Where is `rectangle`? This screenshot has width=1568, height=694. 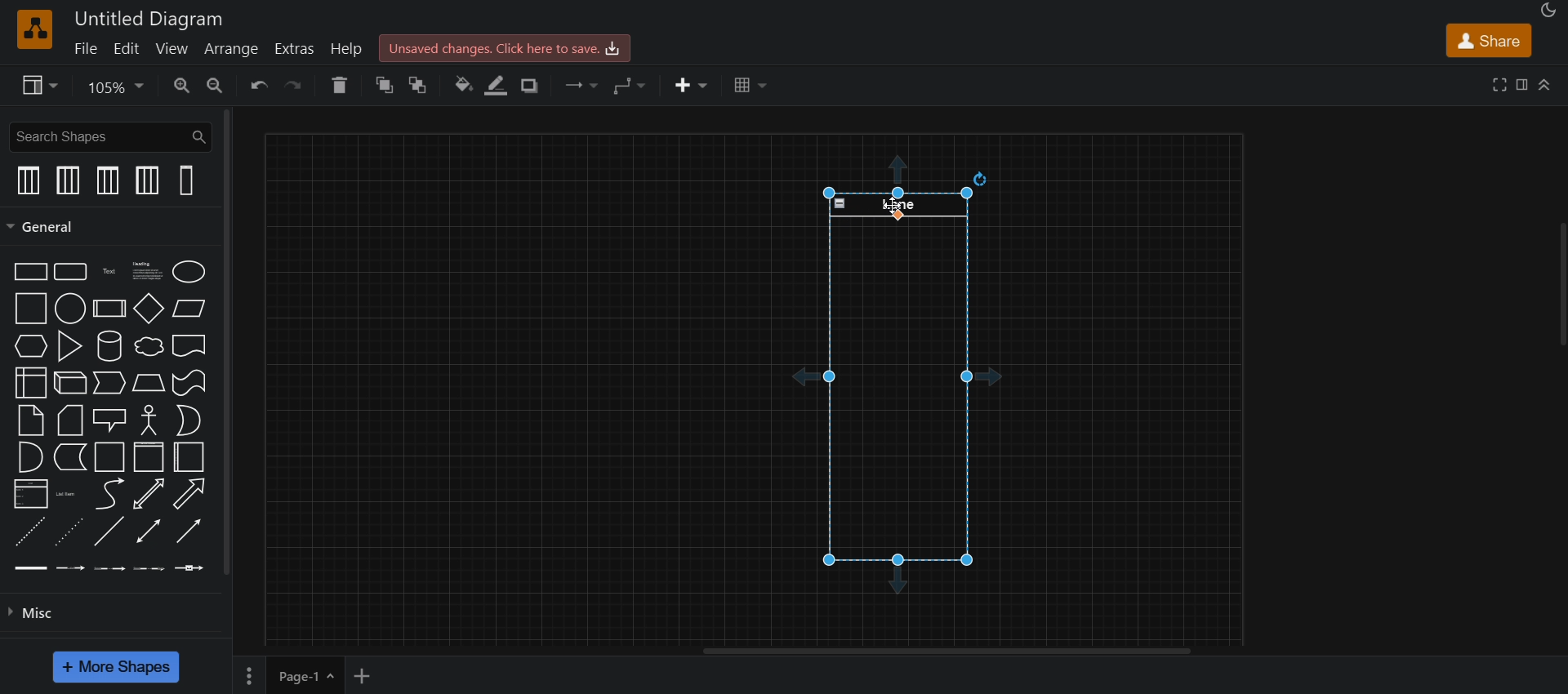
rectangle is located at coordinates (25, 271).